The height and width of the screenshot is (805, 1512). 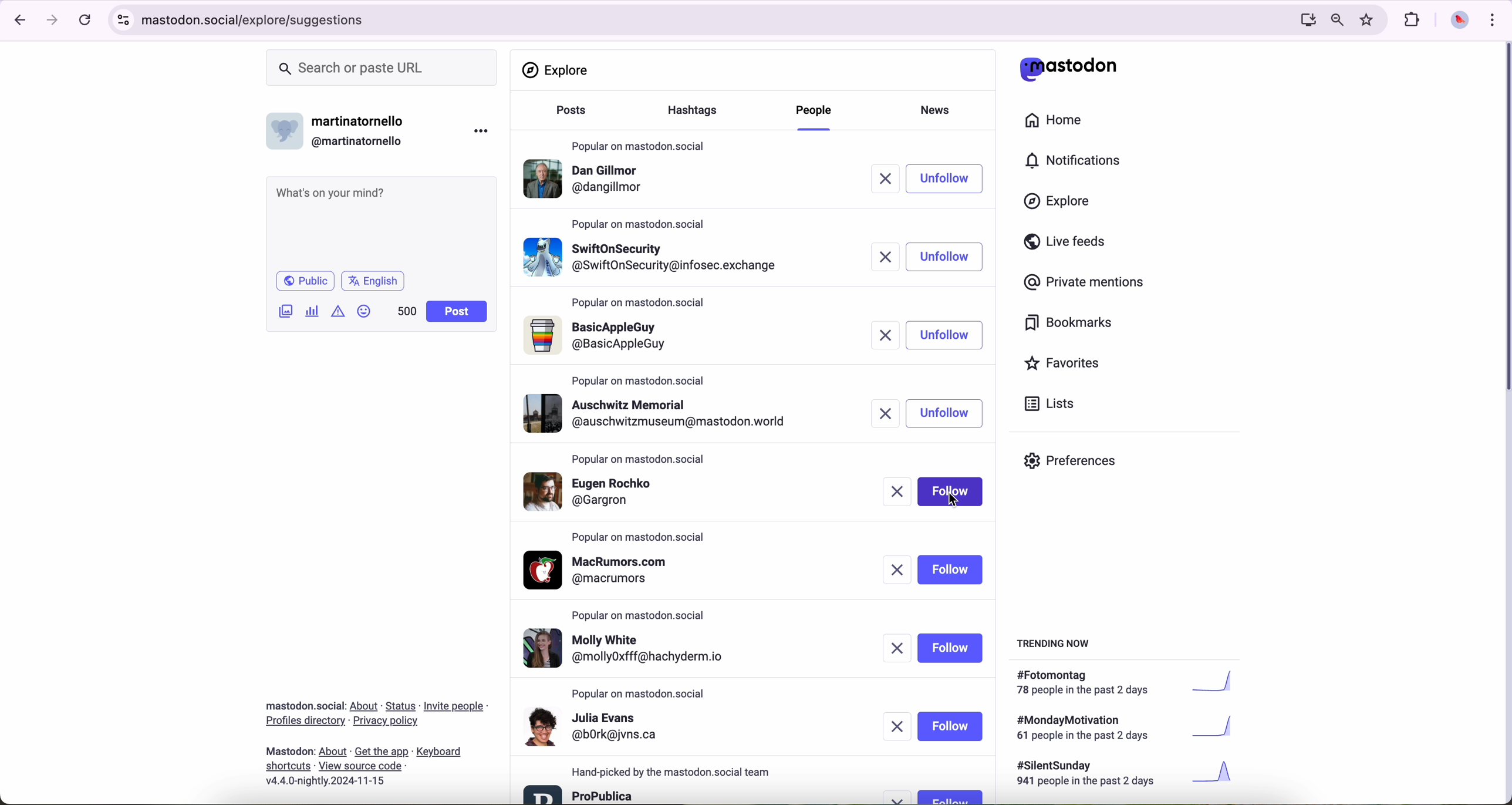 I want to click on profile picture, so click(x=1456, y=21).